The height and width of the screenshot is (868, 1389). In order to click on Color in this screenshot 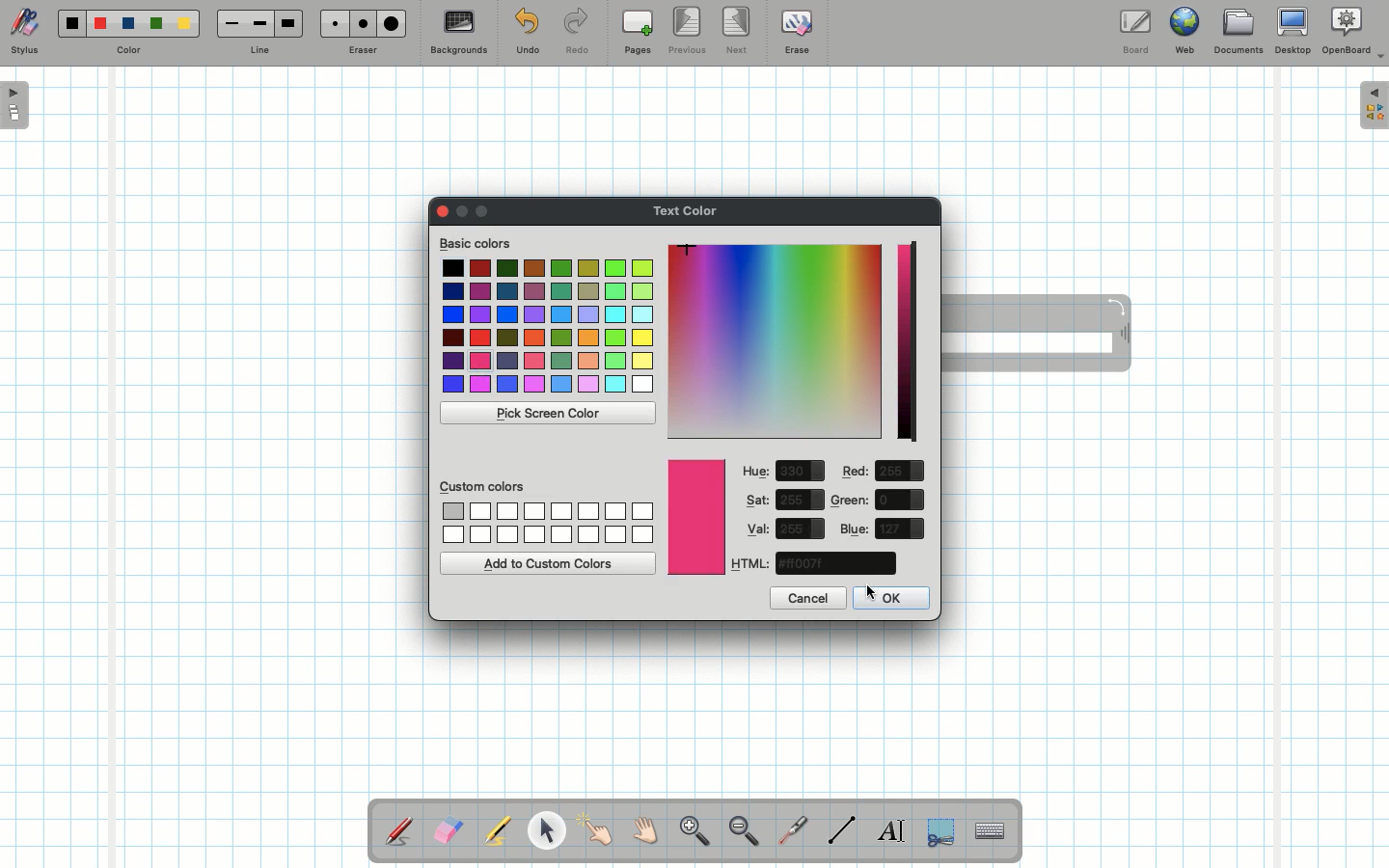, I will do `click(126, 51)`.